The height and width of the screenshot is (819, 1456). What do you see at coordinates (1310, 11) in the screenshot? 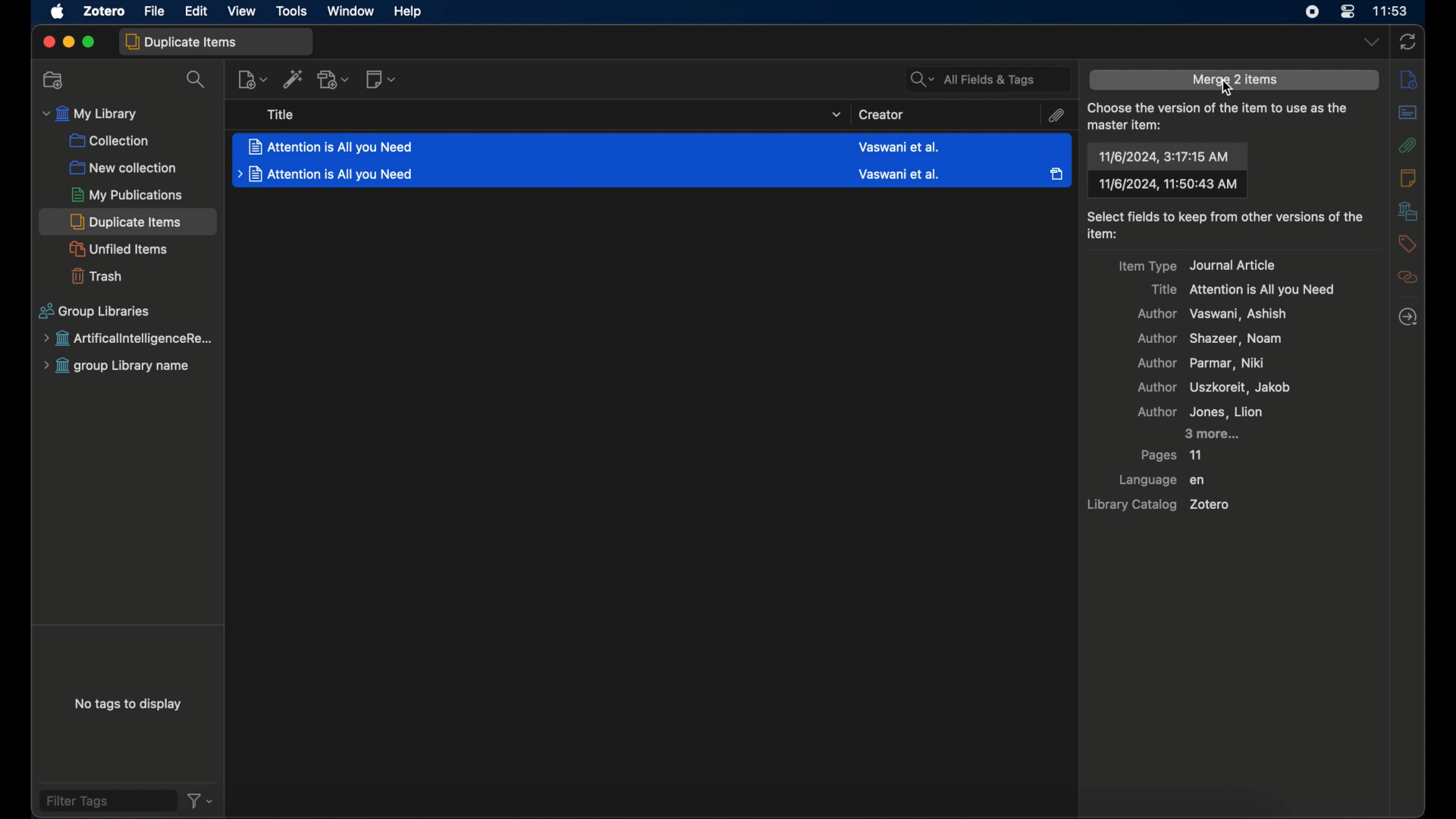
I see `screen recorder icon` at bounding box center [1310, 11].